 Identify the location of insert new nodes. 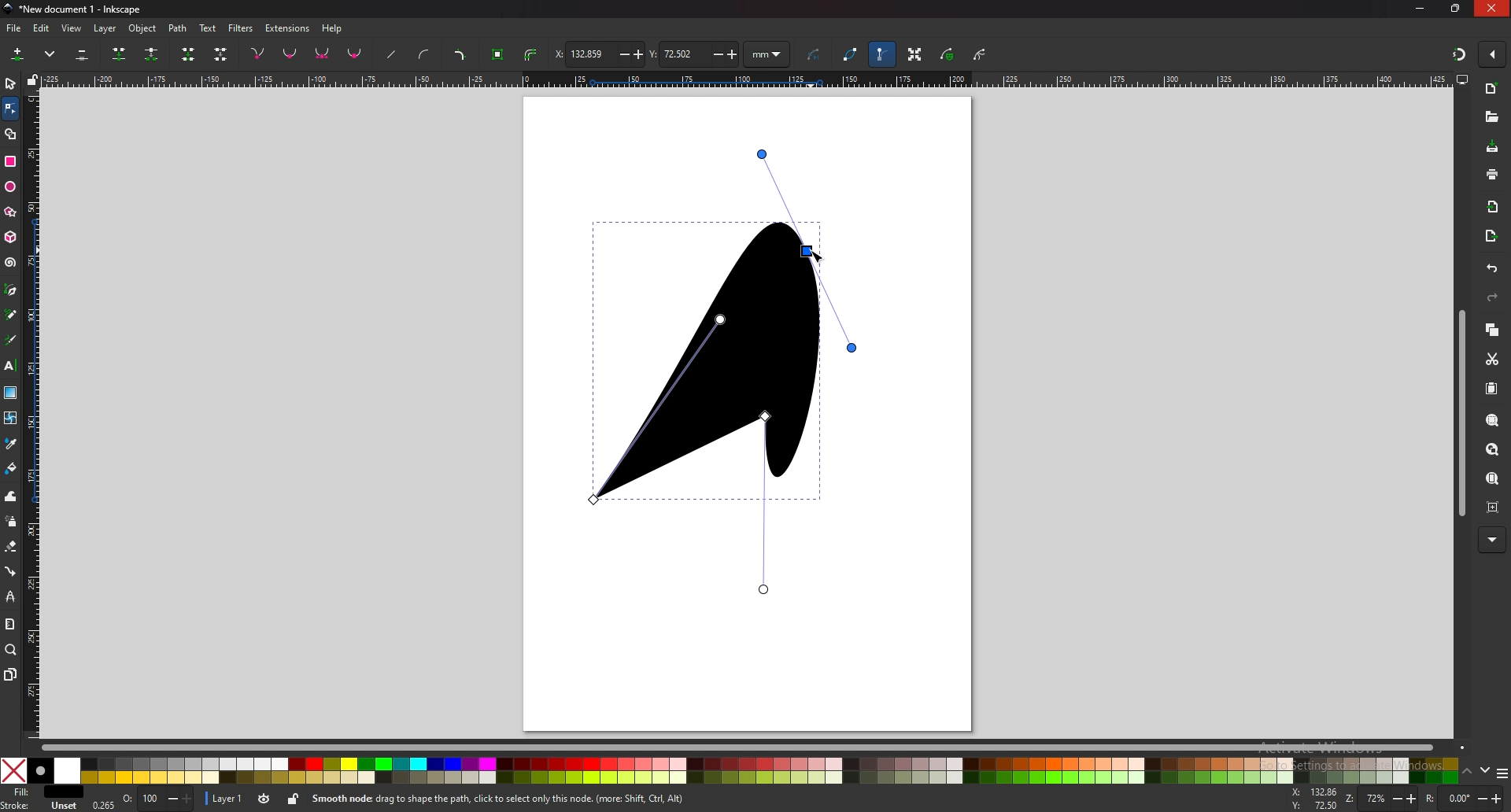
(18, 54).